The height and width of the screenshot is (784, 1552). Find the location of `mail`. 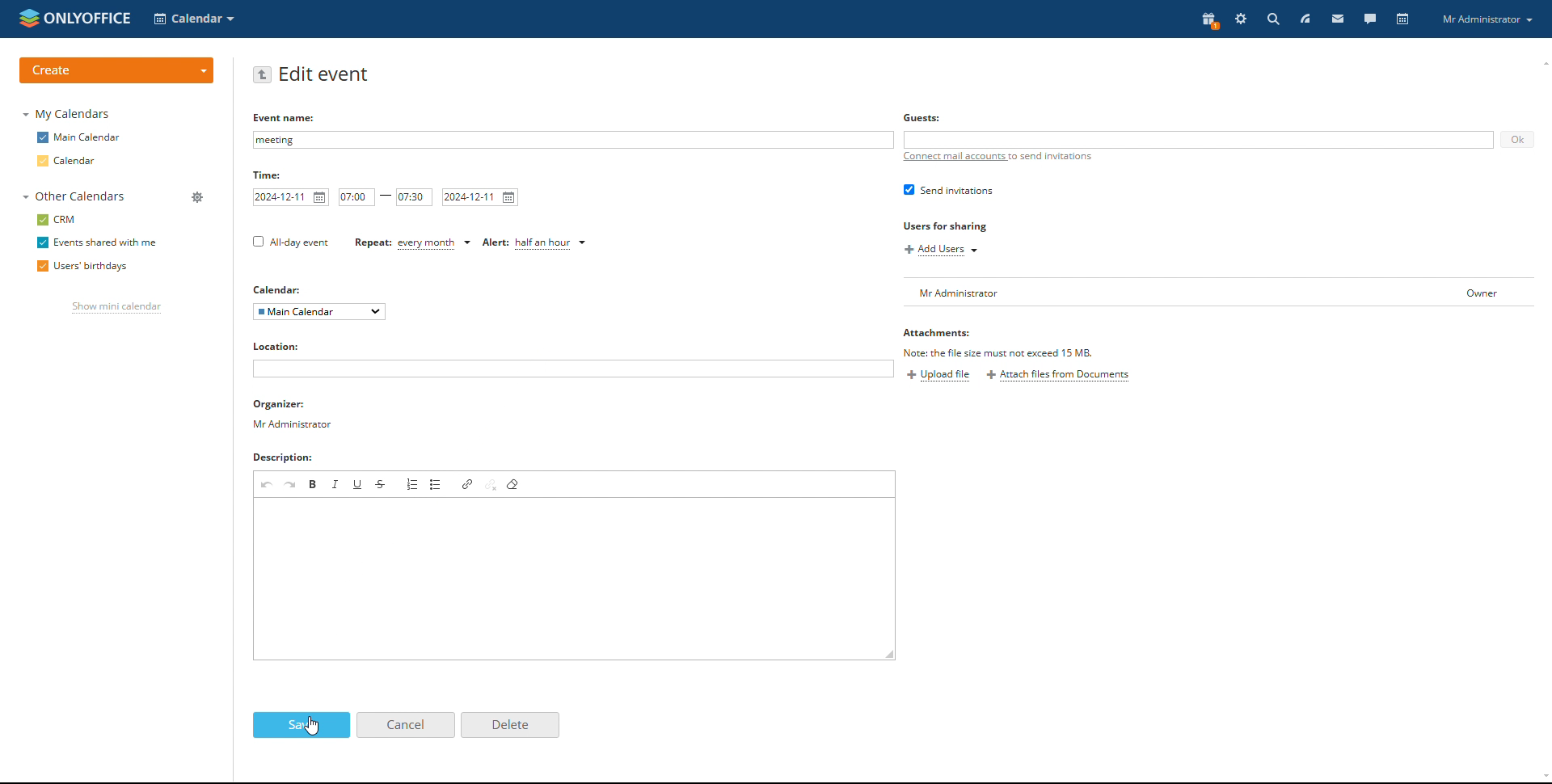

mail is located at coordinates (1338, 19).